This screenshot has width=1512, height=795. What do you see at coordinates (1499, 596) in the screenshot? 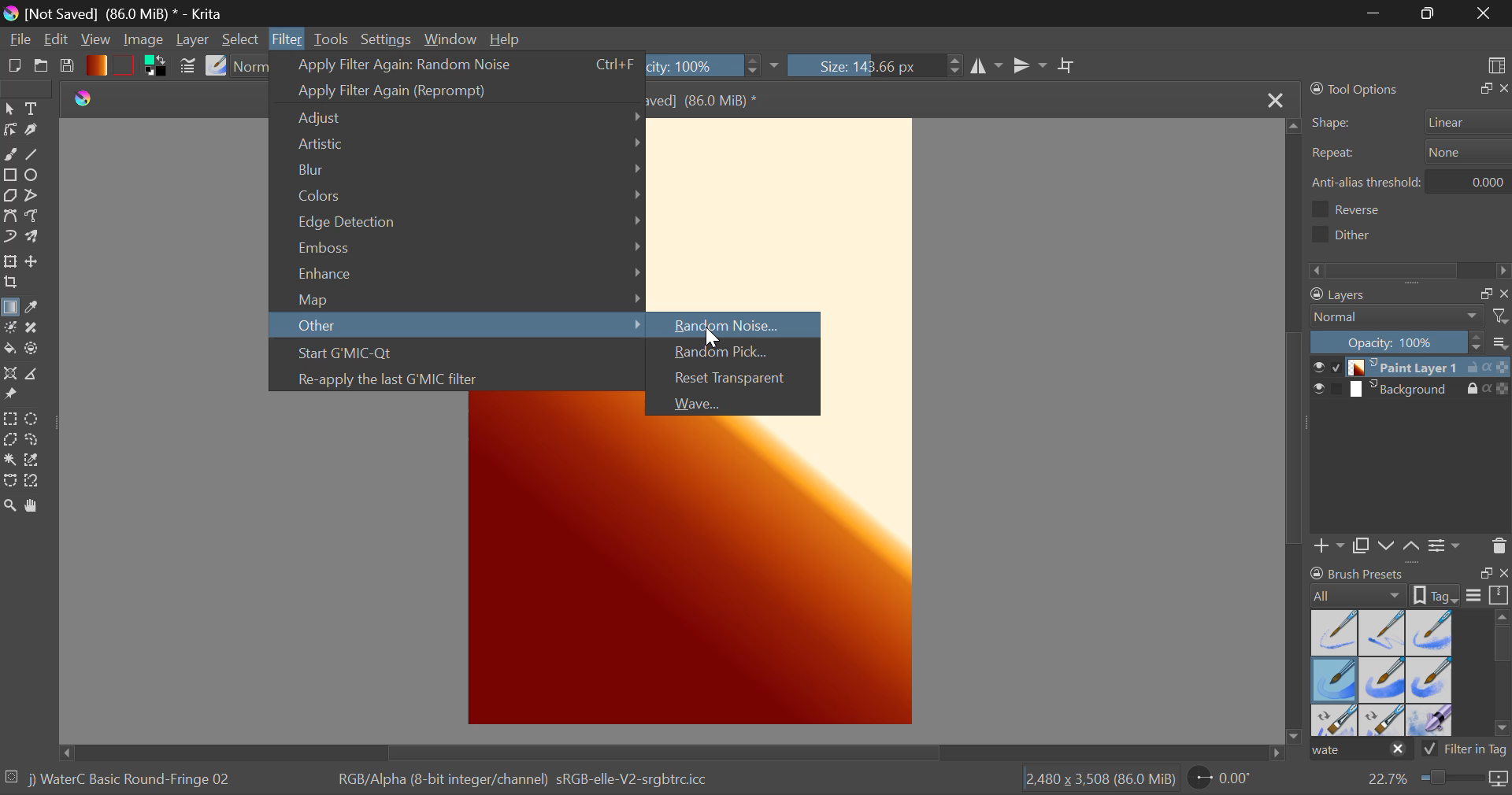
I see `scale` at bounding box center [1499, 596].